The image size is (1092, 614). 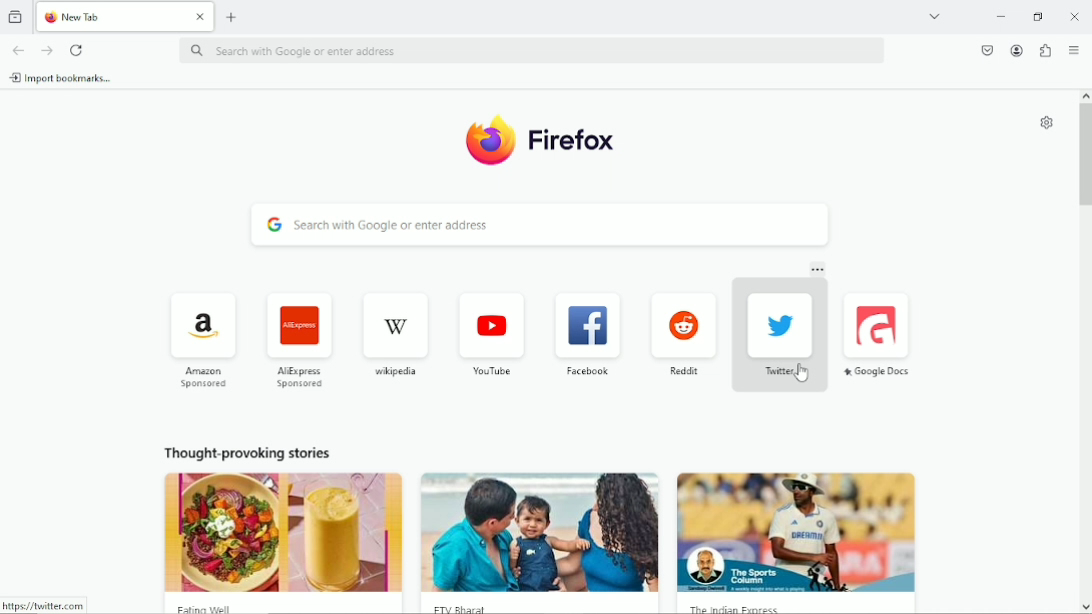 I want to click on Amazon, so click(x=200, y=338).